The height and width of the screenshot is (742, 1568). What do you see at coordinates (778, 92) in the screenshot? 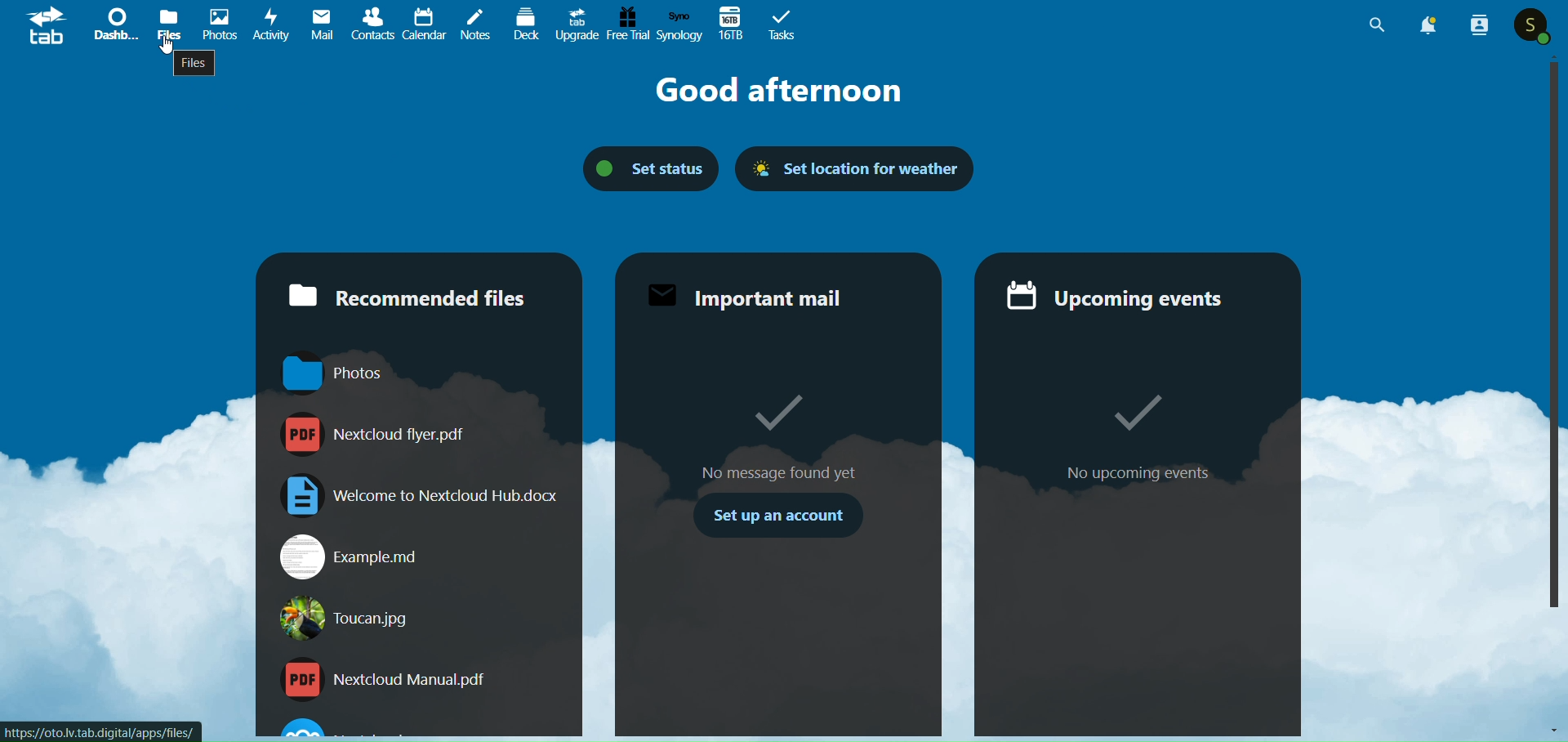
I see `good afternoon` at bounding box center [778, 92].